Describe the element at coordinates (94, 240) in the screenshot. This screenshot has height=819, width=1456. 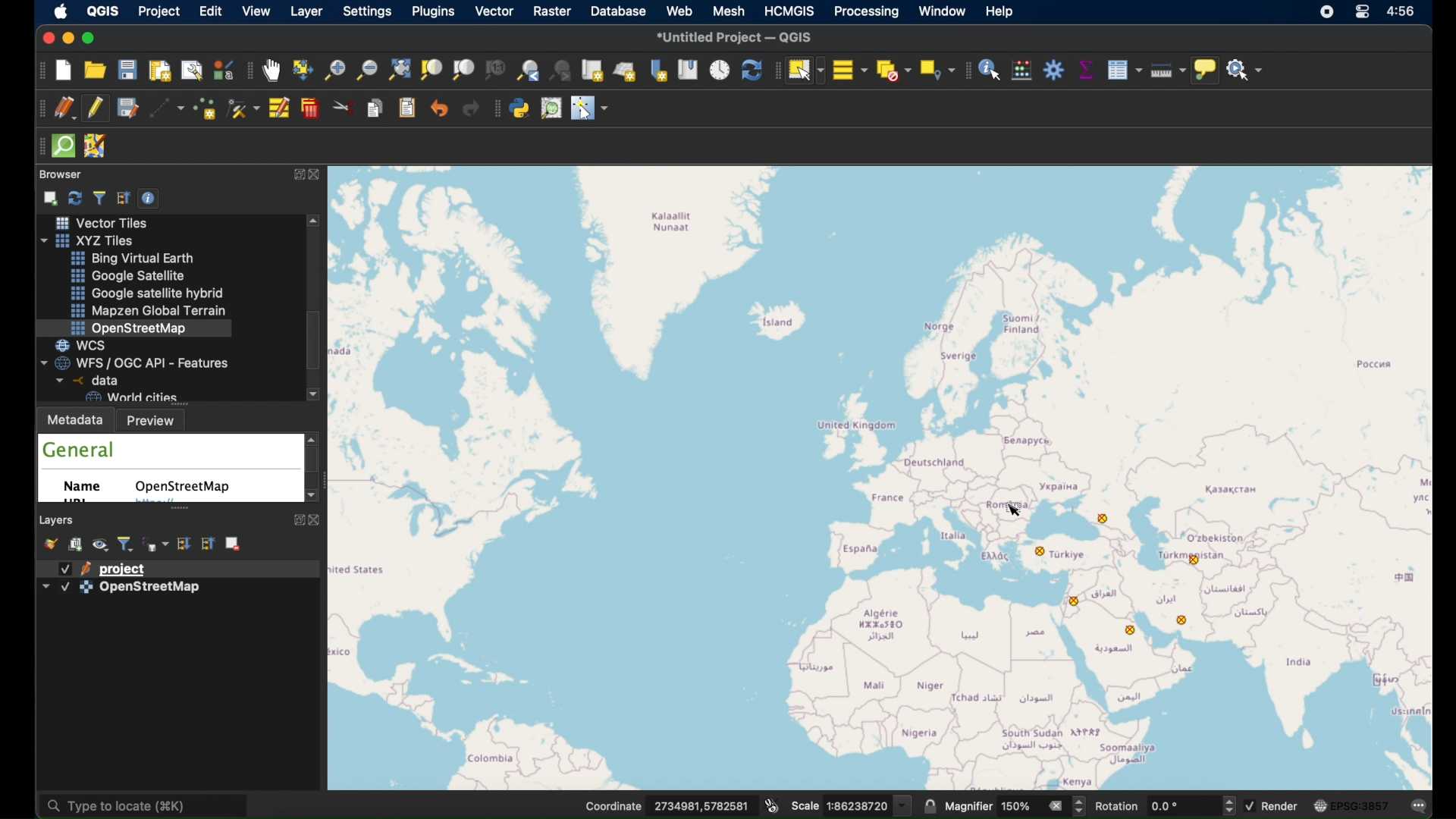
I see `xyzzy tiles` at that location.